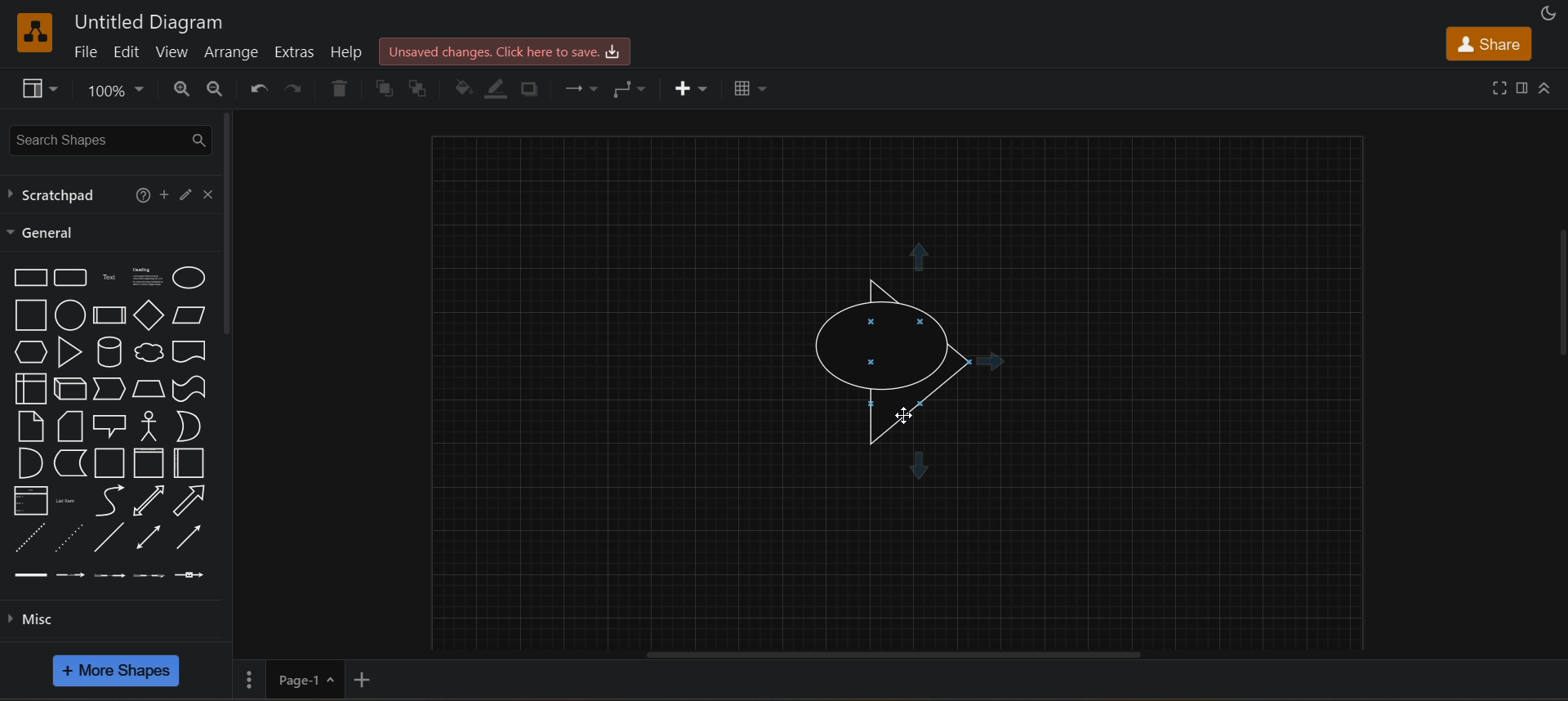  I want to click on dashed line, so click(30, 537).